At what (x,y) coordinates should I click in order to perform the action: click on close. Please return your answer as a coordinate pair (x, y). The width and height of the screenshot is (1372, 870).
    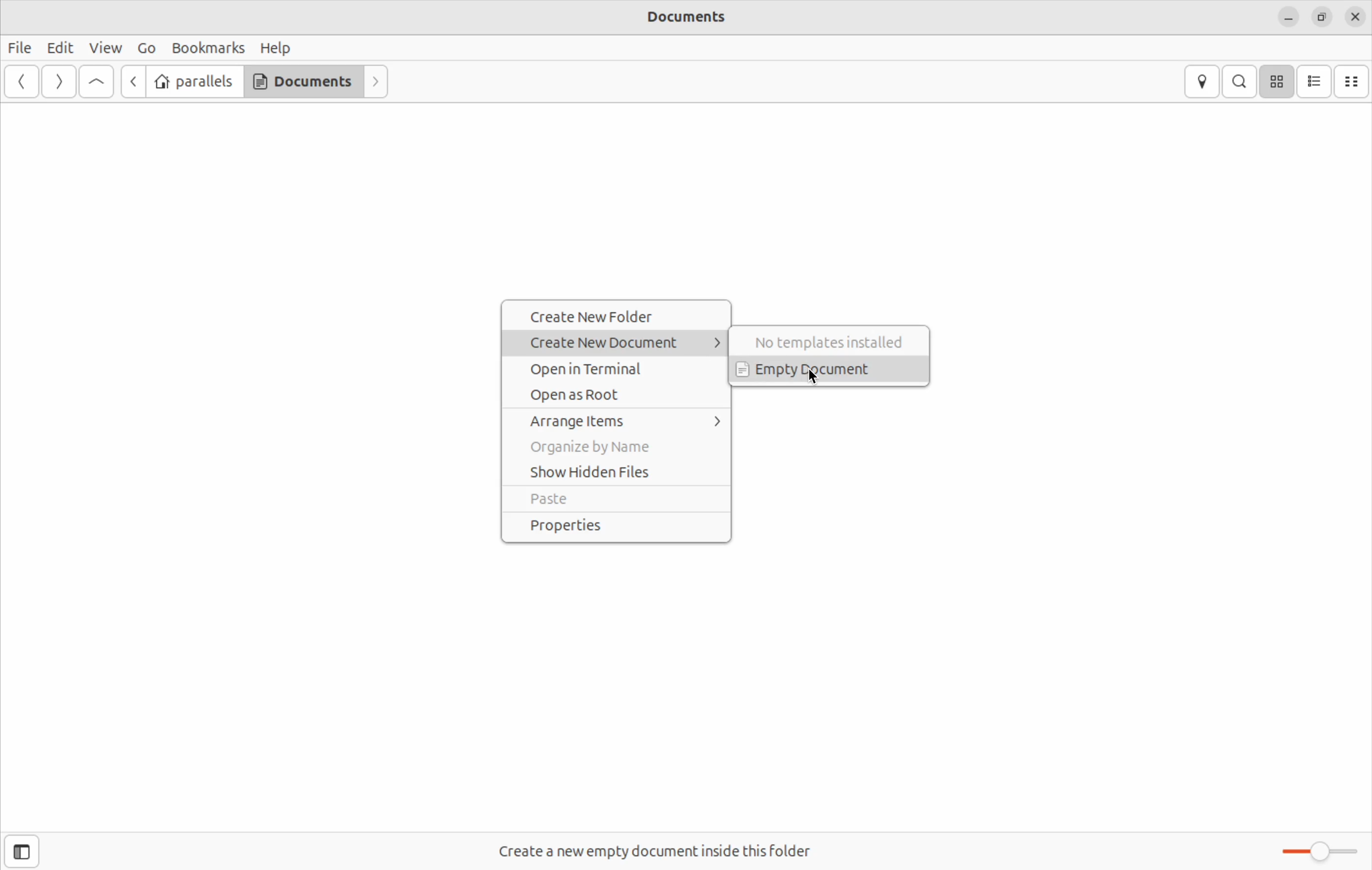
    Looking at the image, I should click on (1356, 17).